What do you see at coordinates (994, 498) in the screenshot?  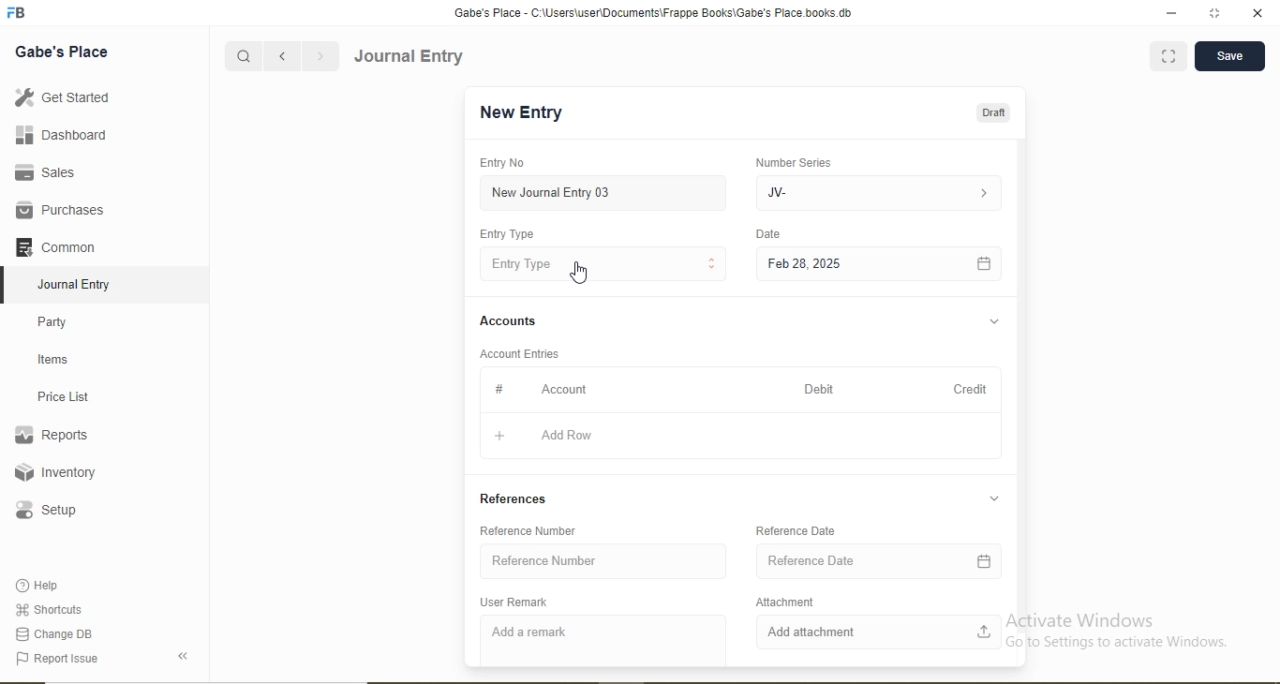 I see `Dropdown` at bounding box center [994, 498].